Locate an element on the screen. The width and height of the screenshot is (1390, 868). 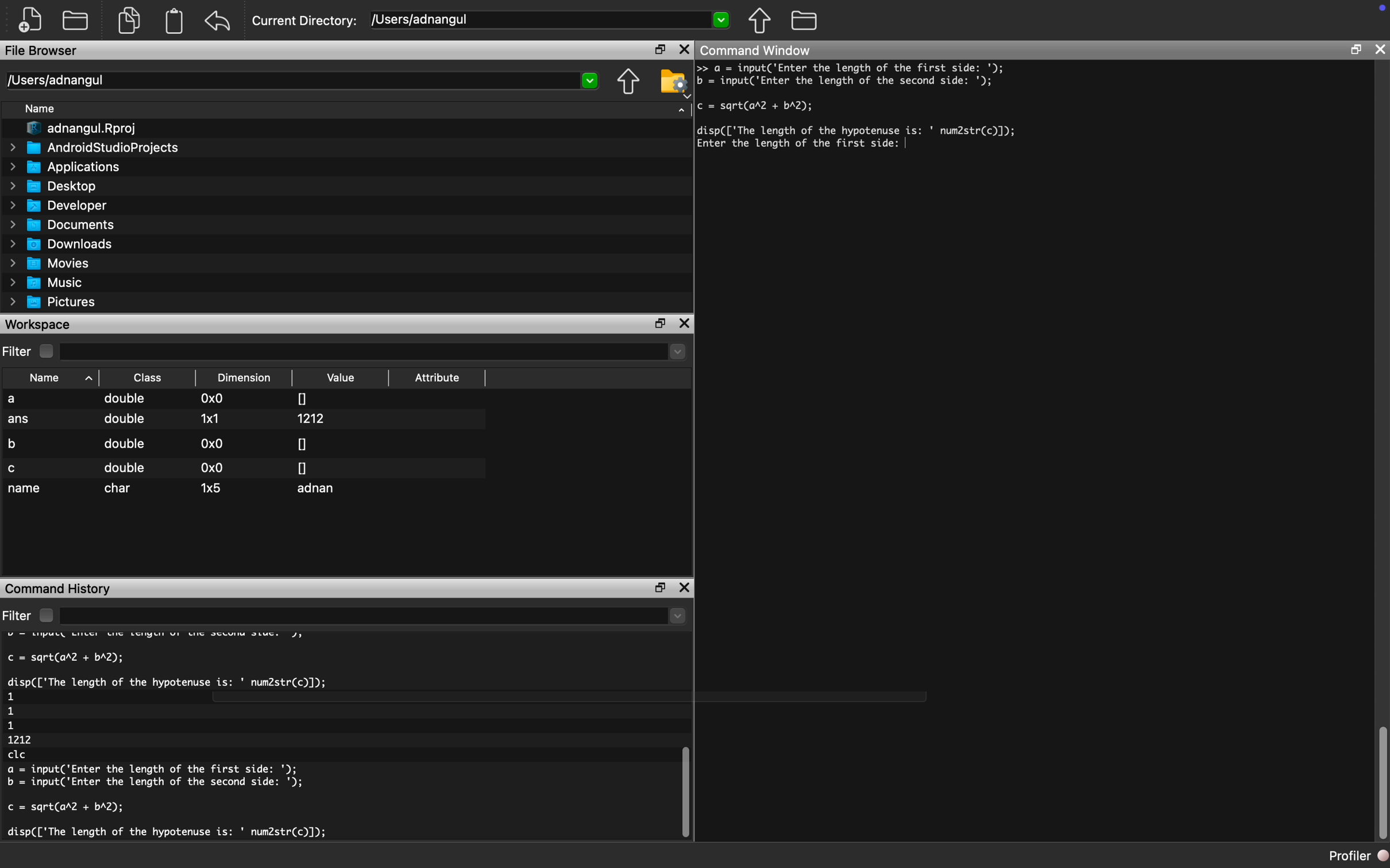
Documents is located at coordinates (65, 224).